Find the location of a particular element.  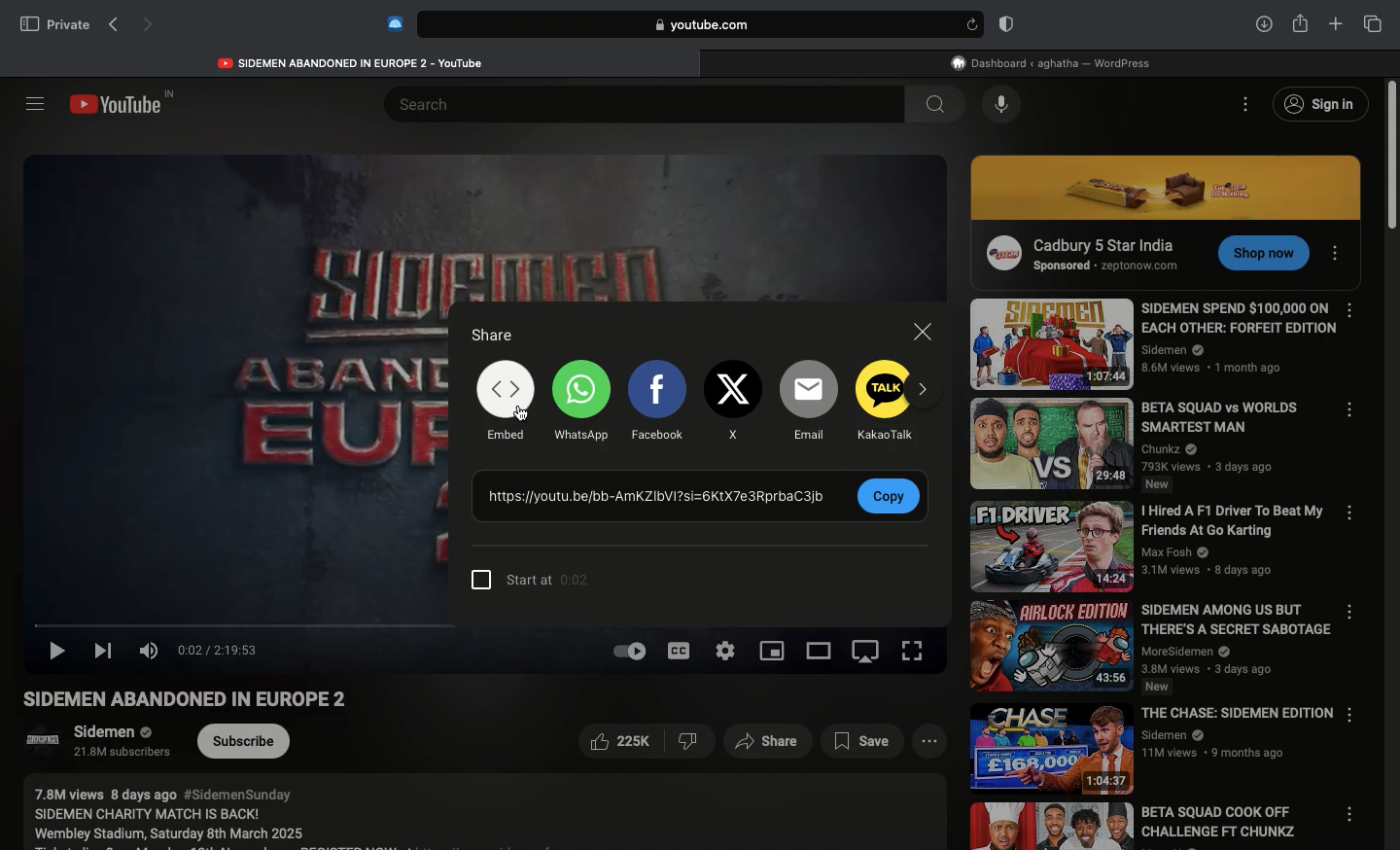

Badge is located at coordinates (1003, 25).